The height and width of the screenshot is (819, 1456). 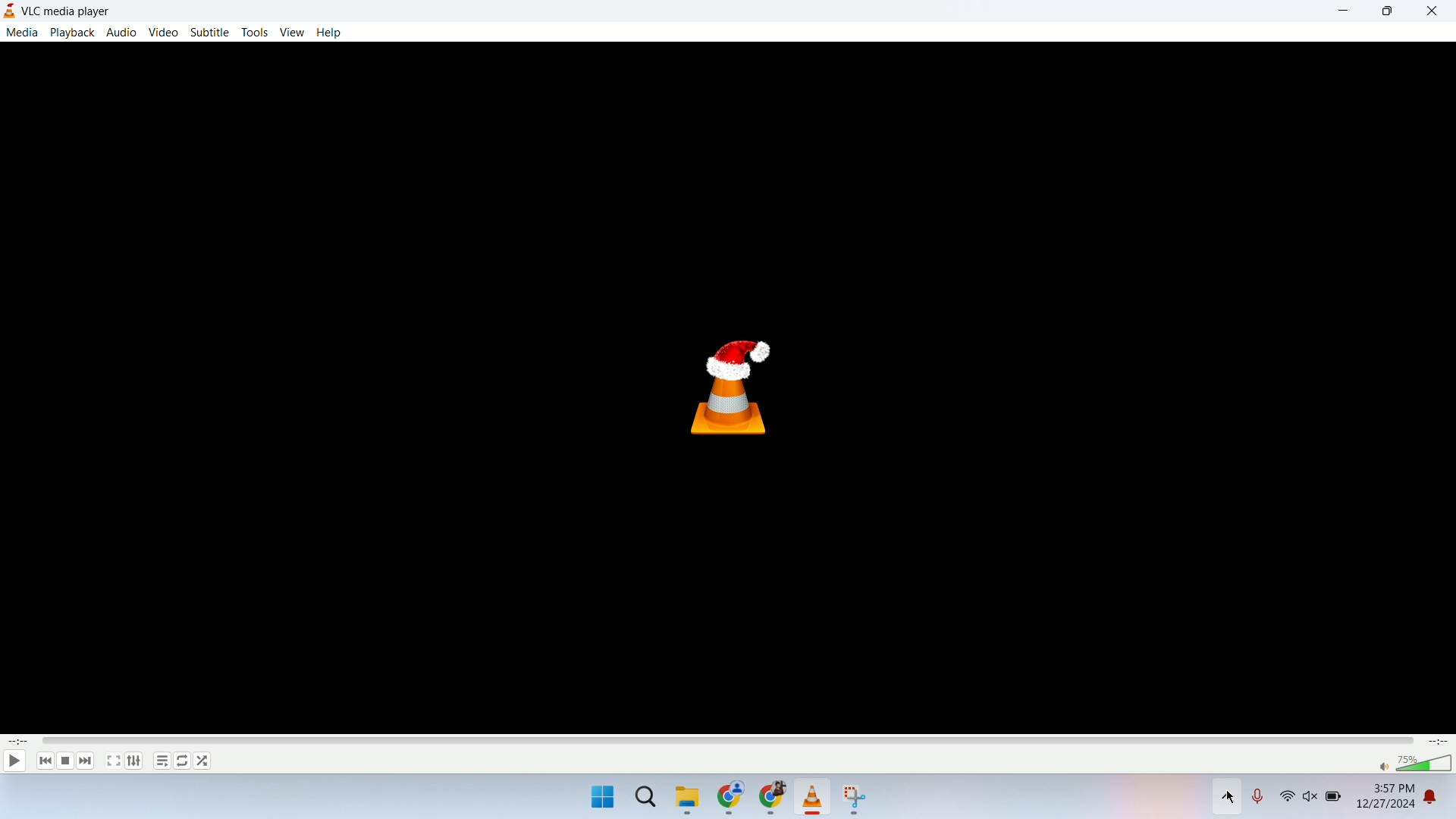 I want to click on show hidden icons, so click(x=1227, y=800).